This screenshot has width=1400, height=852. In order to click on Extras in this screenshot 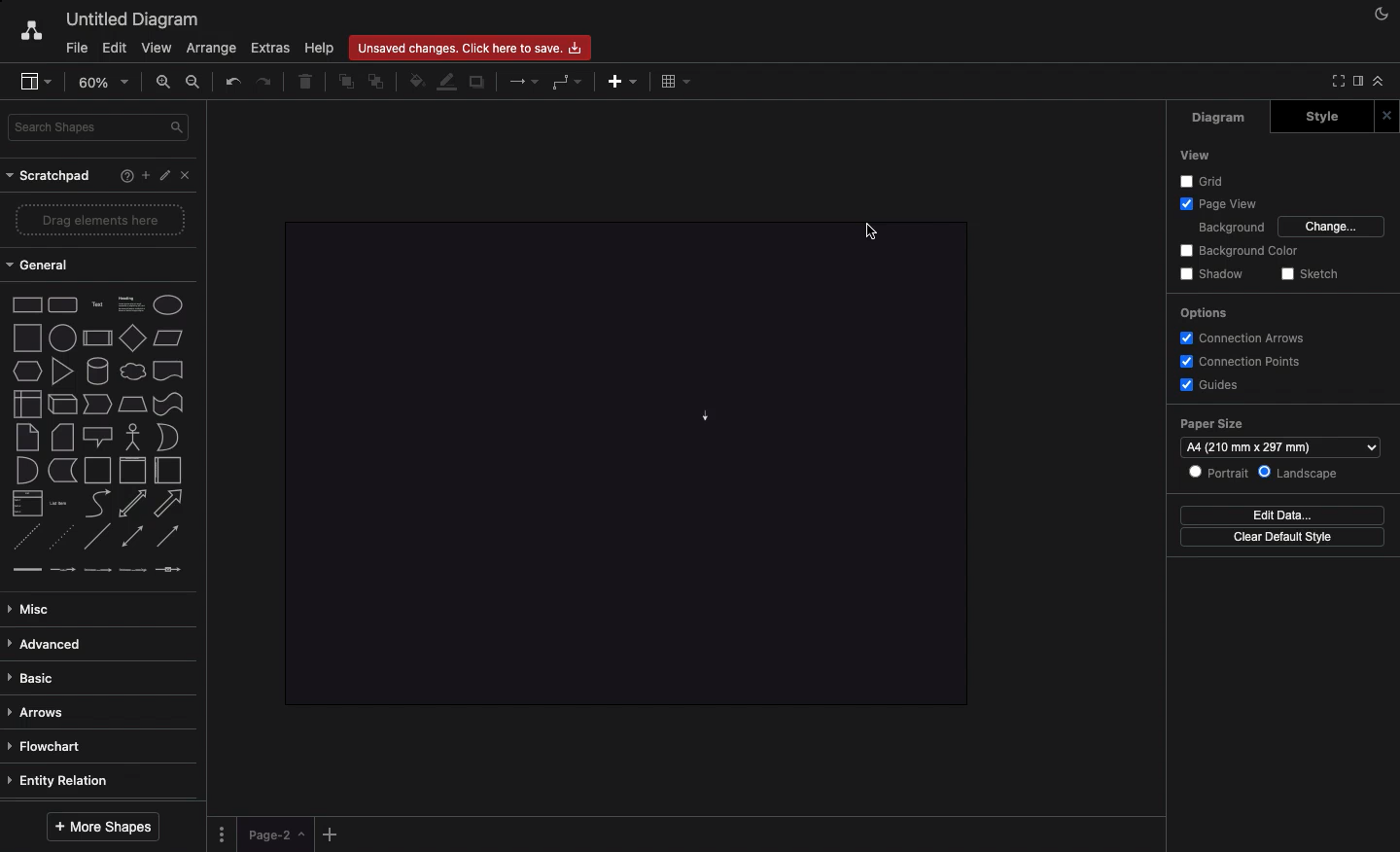, I will do `click(273, 49)`.